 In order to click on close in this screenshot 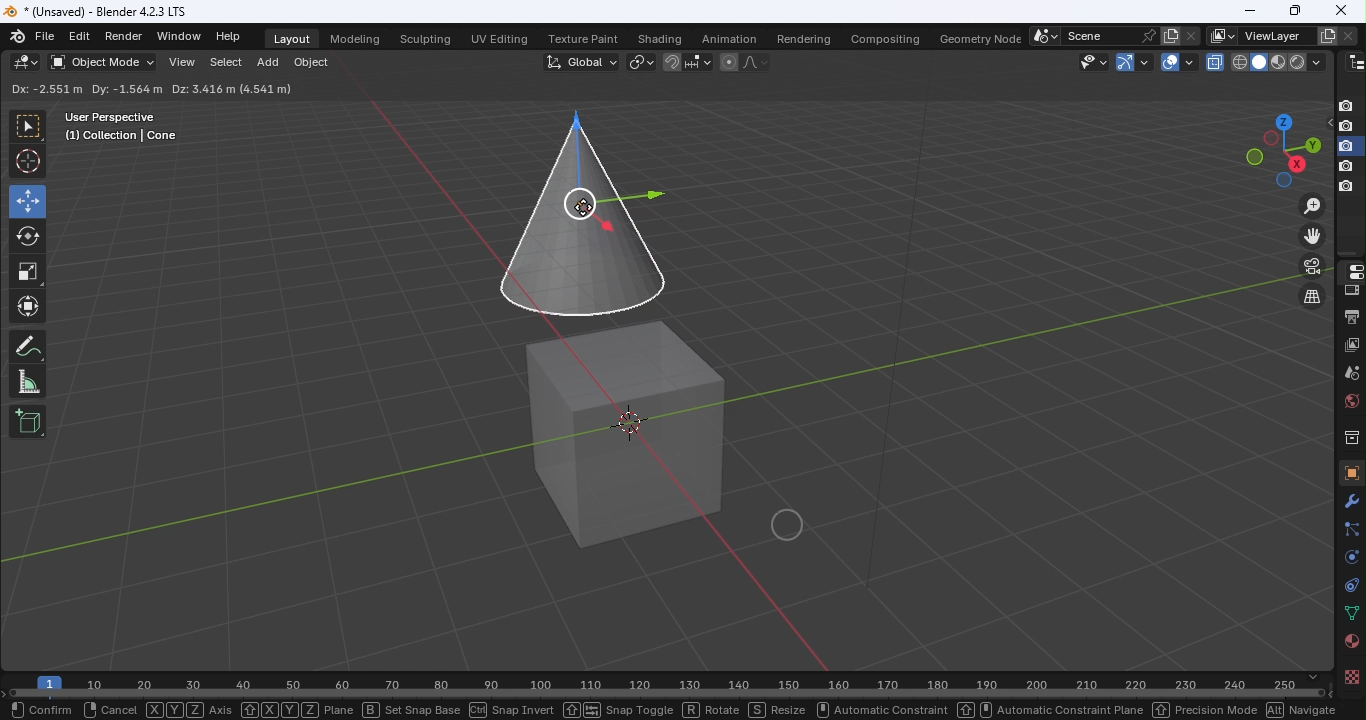, I will do `click(1344, 10)`.